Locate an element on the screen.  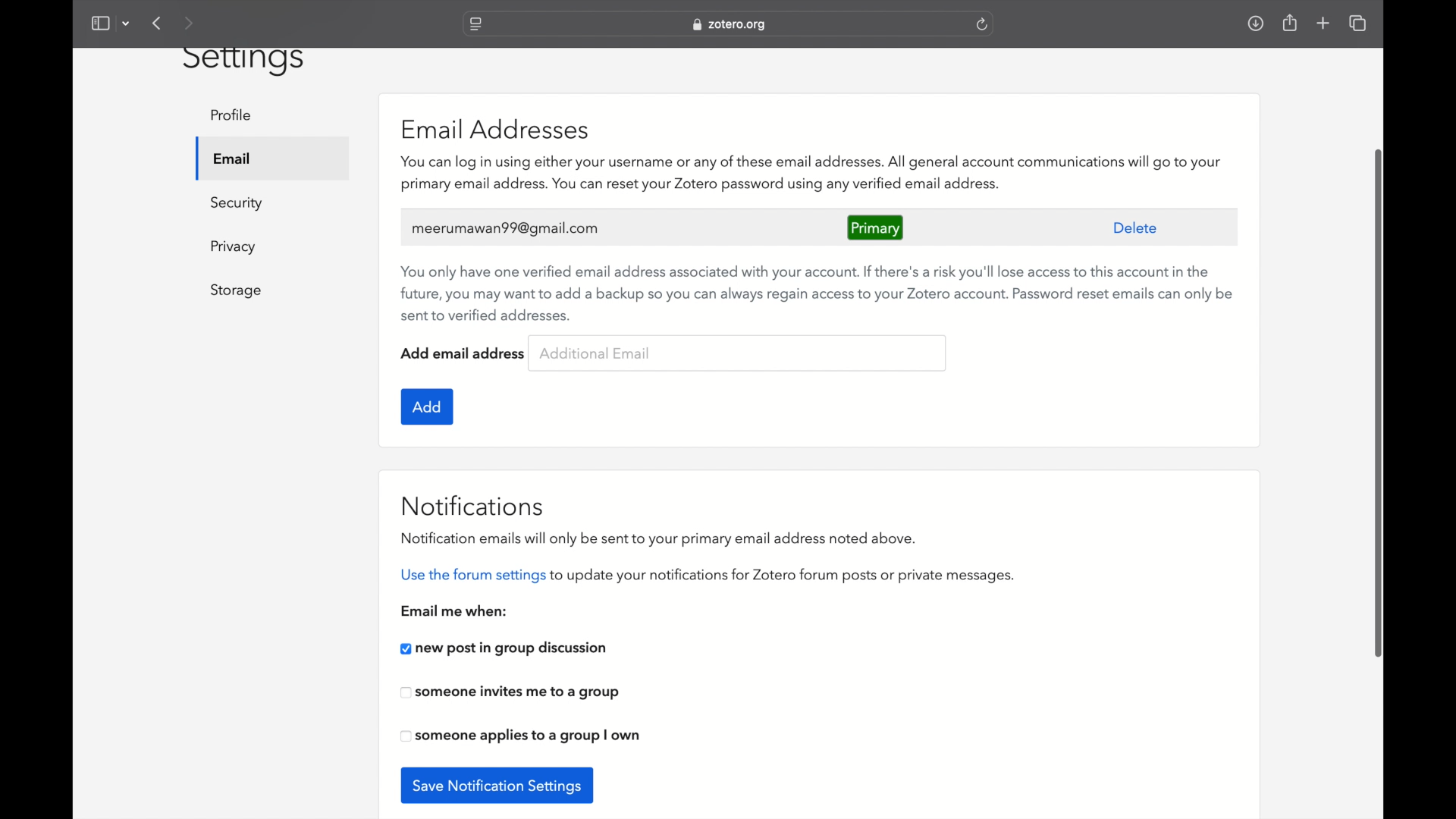
checkbox is located at coordinates (522, 736).